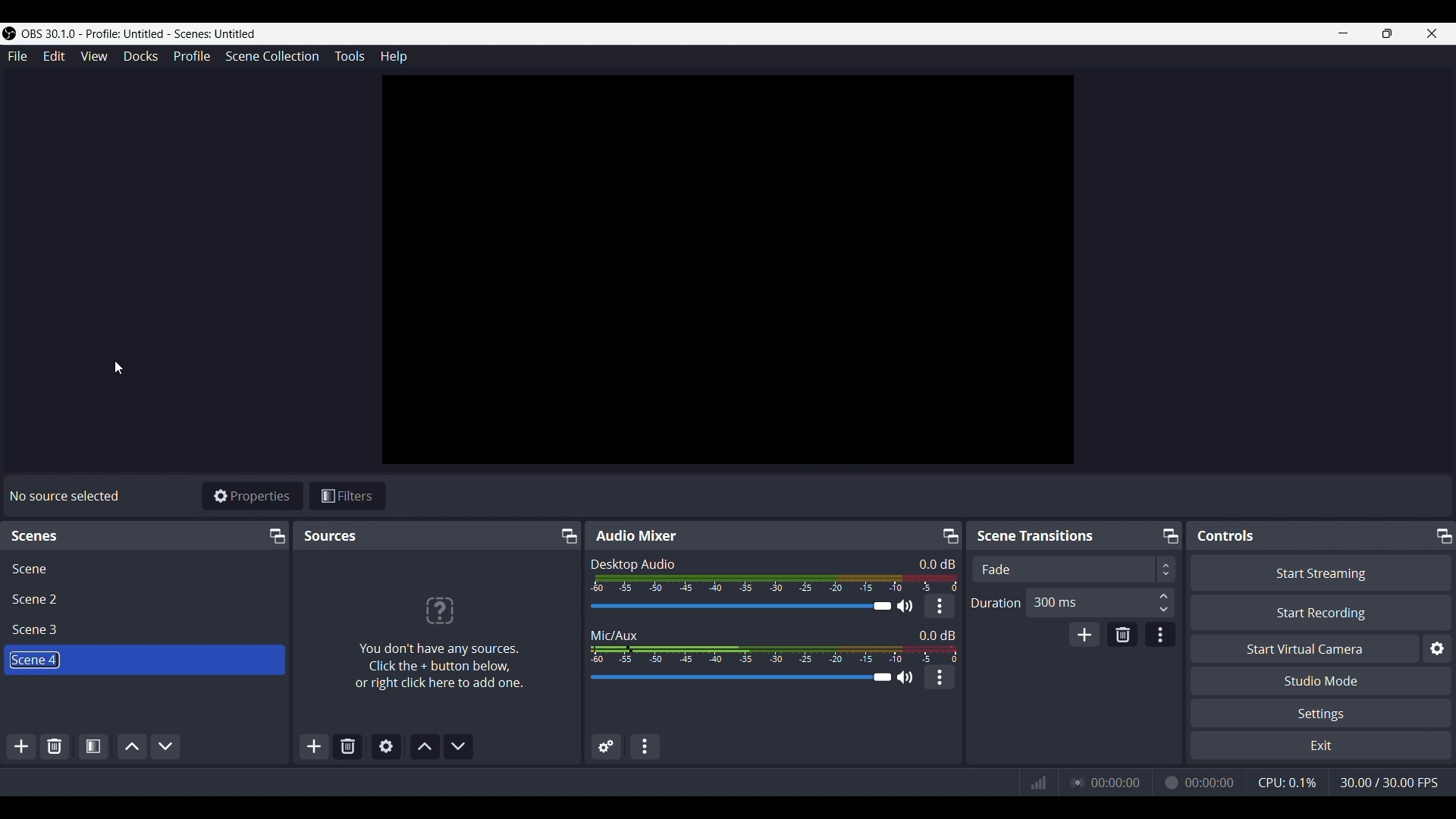  Describe the element at coordinates (1055, 601) in the screenshot. I see `300 ms` at that location.